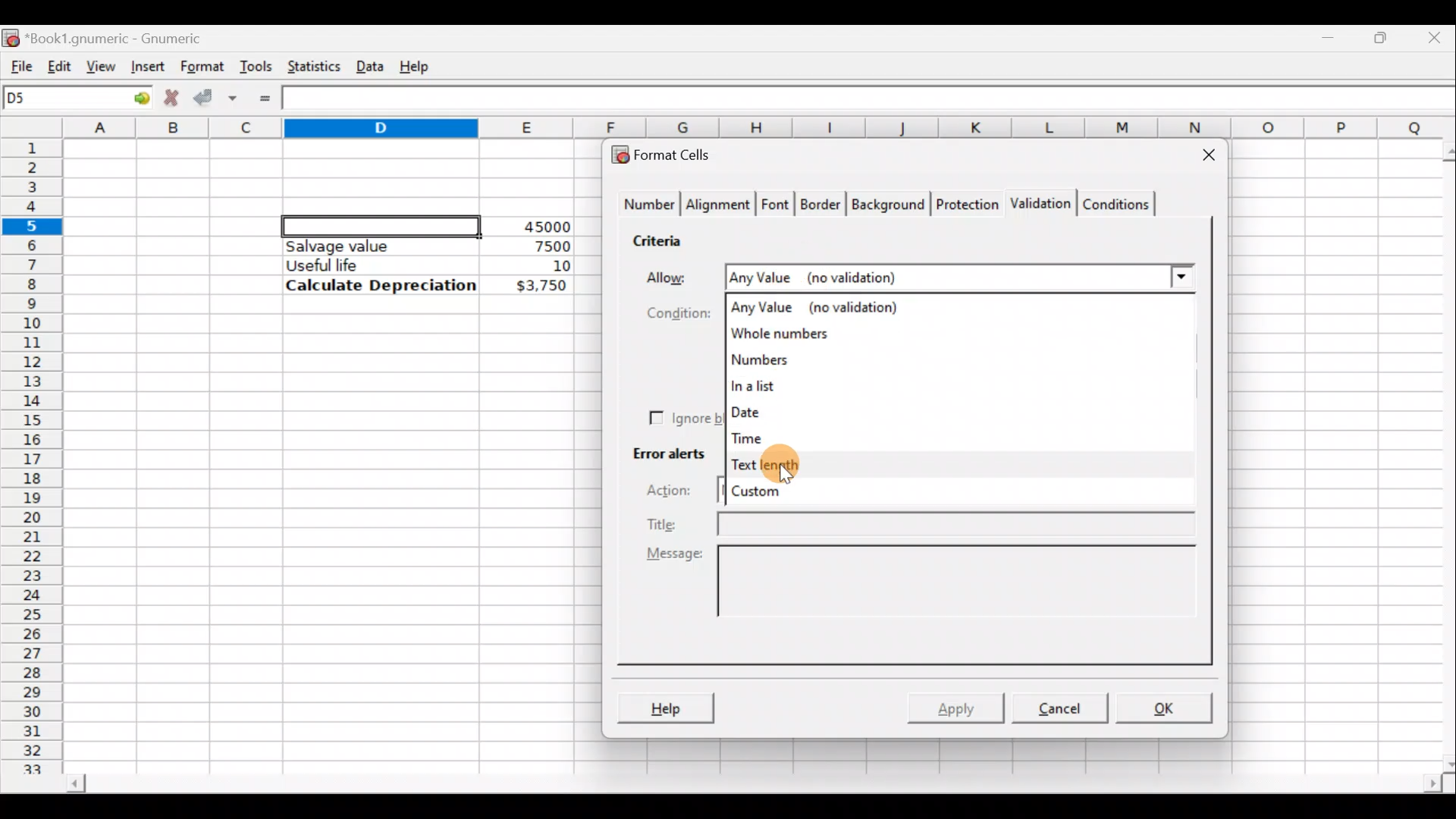 This screenshot has width=1456, height=819. I want to click on Close, so click(1202, 158).